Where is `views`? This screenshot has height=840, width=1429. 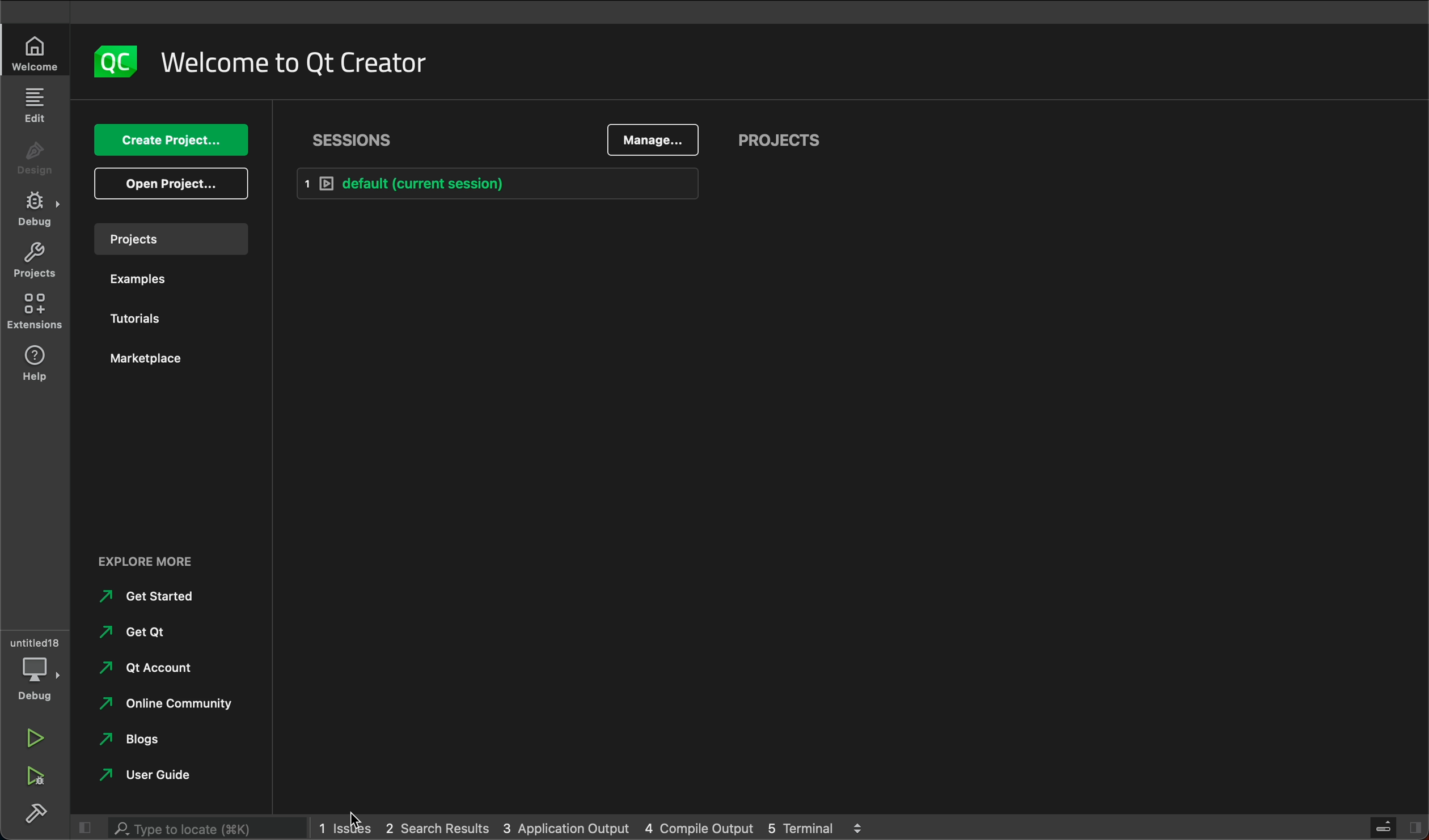
views is located at coordinates (1396, 824).